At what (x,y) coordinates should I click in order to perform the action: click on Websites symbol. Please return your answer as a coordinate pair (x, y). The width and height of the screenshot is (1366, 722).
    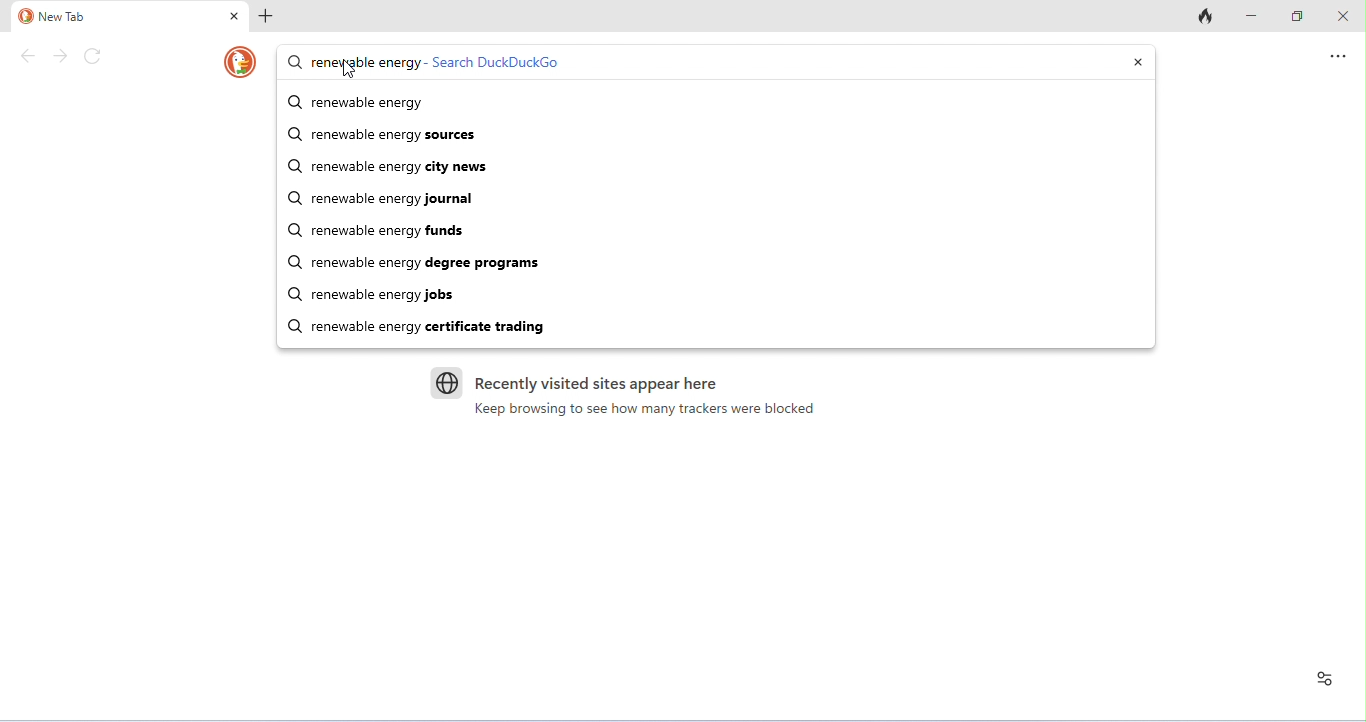
    Looking at the image, I should click on (447, 383).